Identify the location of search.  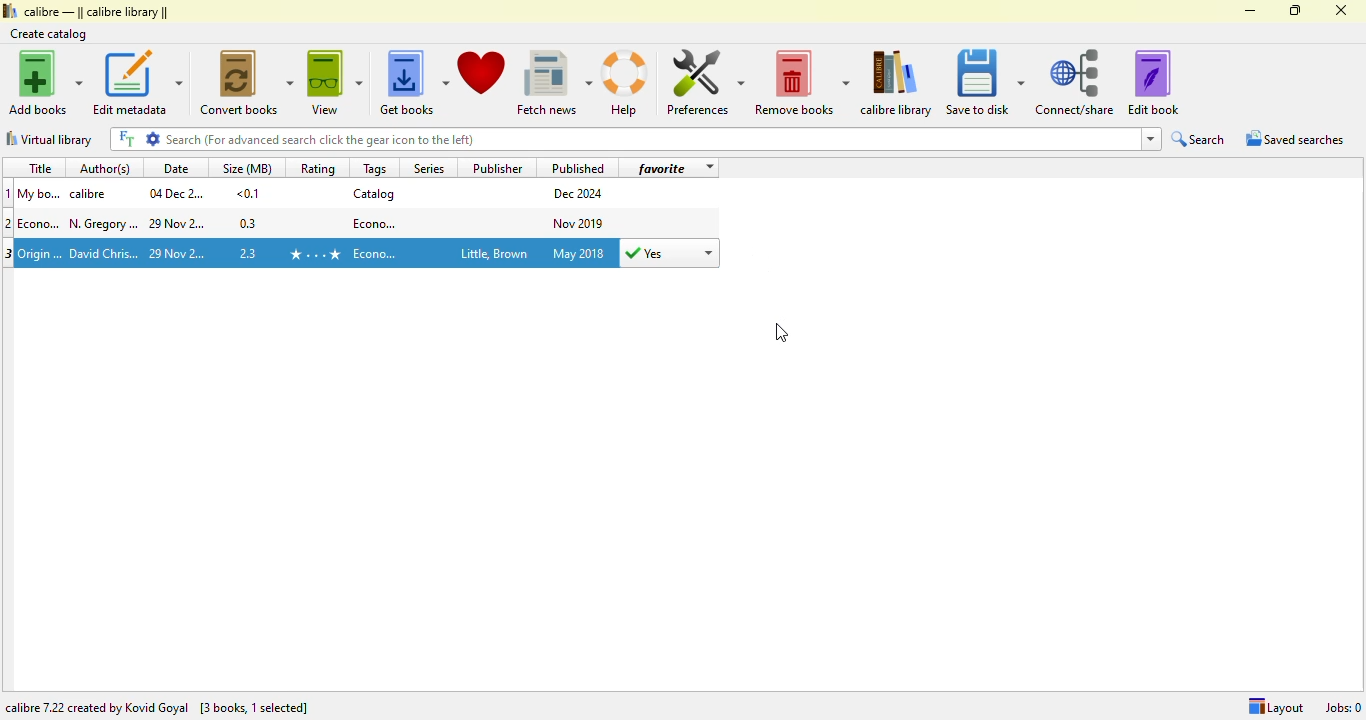
(650, 139).